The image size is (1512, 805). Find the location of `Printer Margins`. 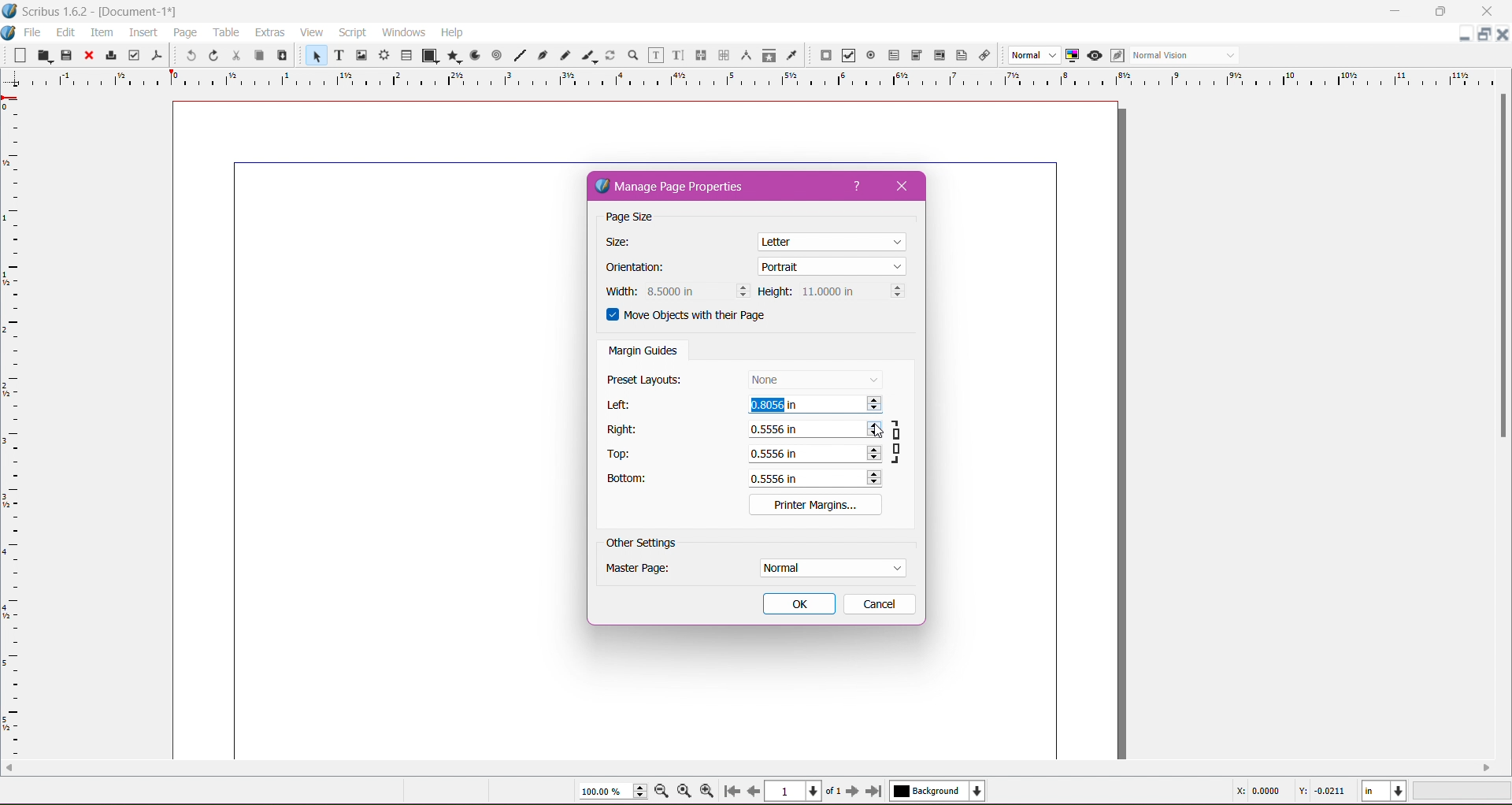

Printer Margins is located at coordinates (815, 504).